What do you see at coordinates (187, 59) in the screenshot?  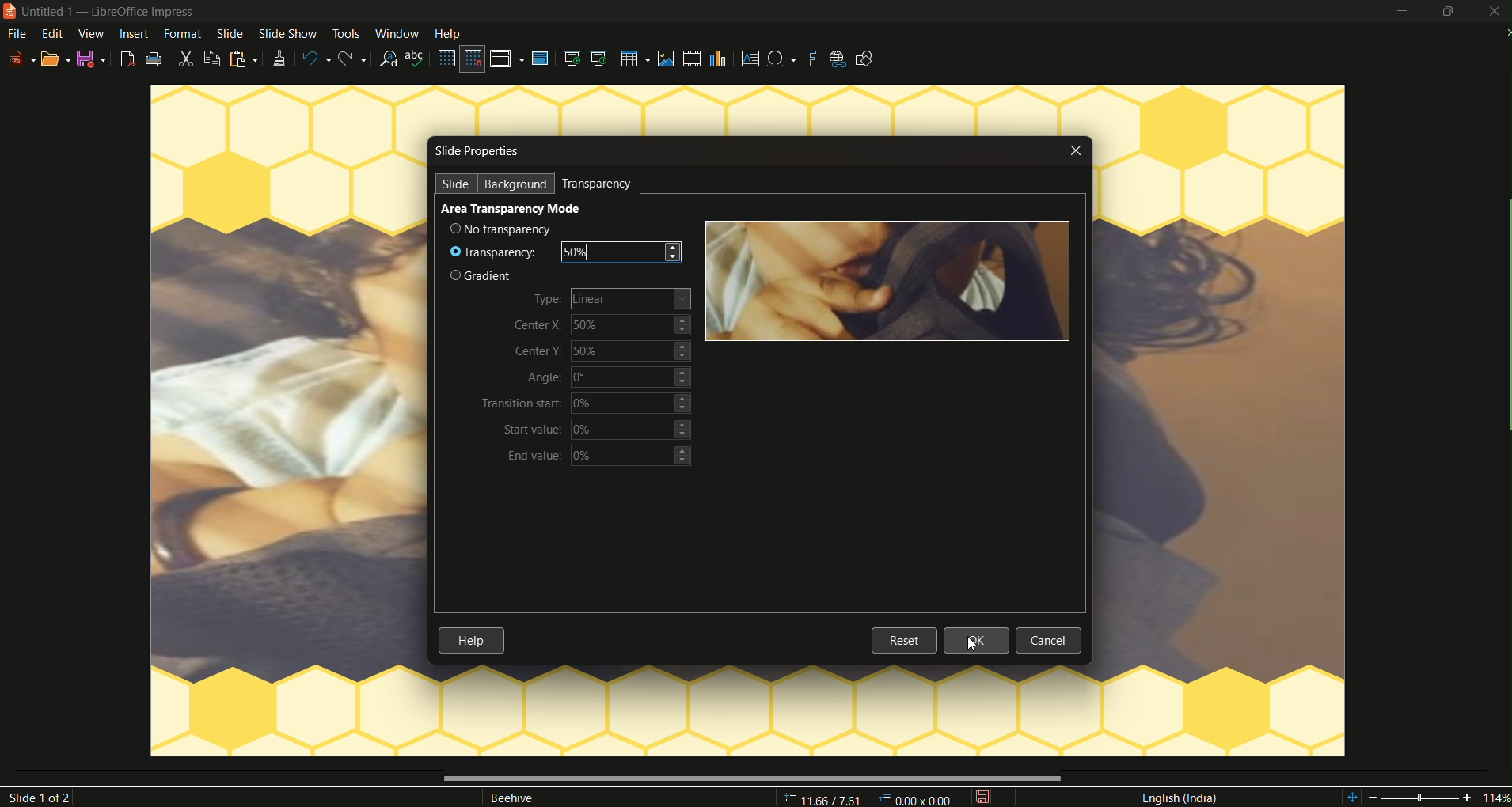 I see `cut` at bounding box center [187, 59].